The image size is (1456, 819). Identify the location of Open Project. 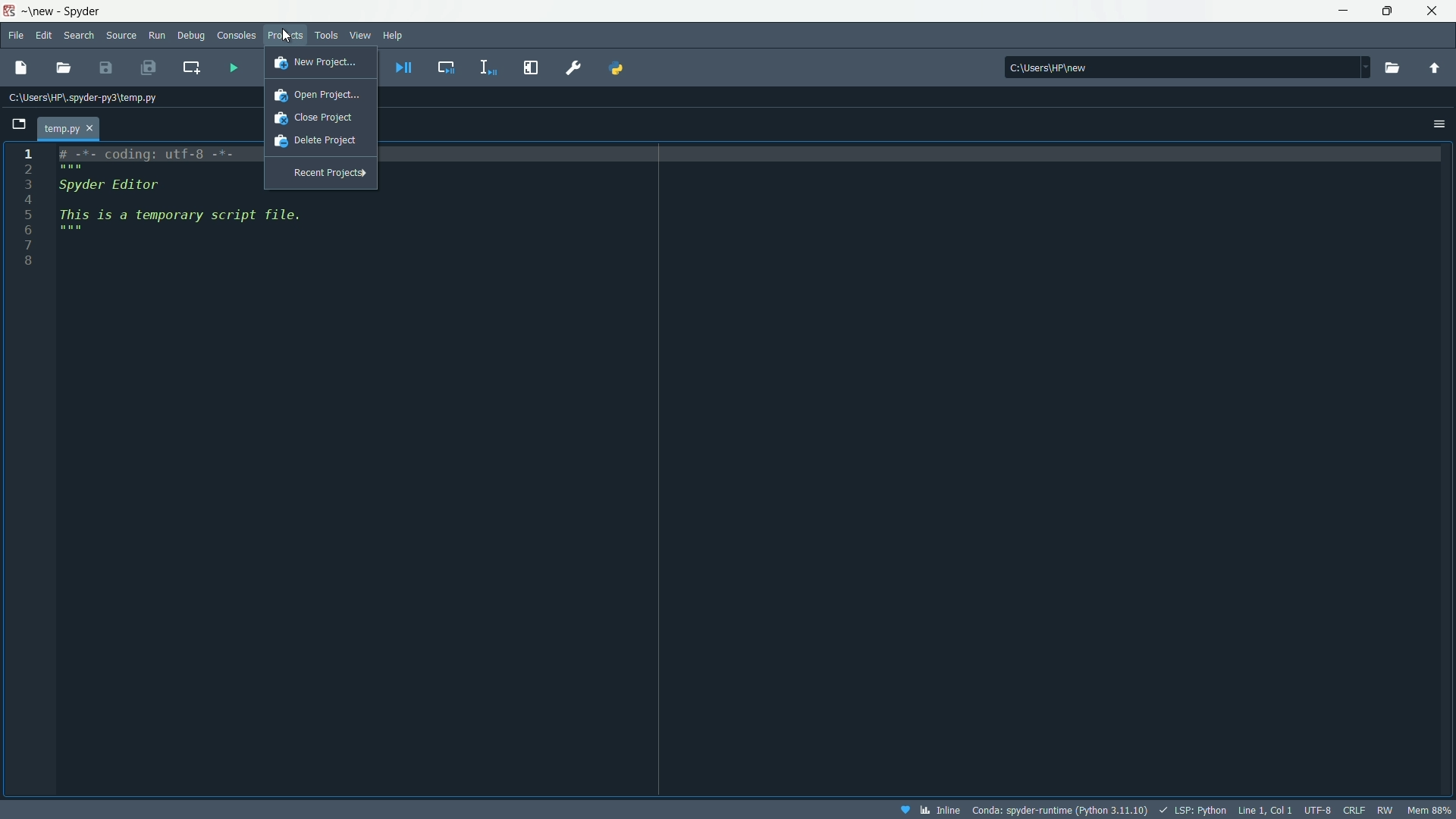
(314, 96).